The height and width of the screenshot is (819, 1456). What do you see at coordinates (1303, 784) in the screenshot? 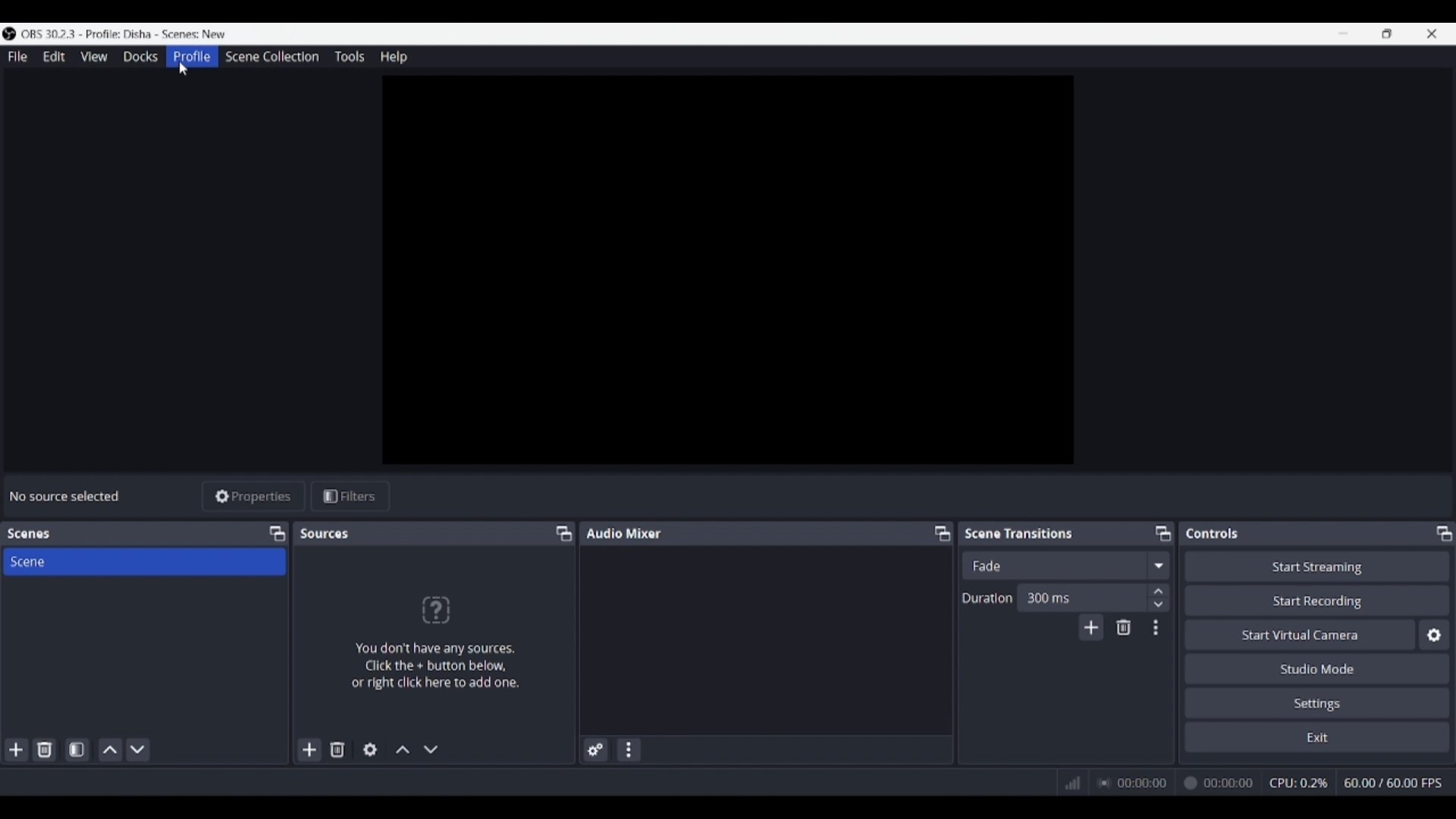
I see `CPU: 0.0%` at bounding box center [1303, 784].